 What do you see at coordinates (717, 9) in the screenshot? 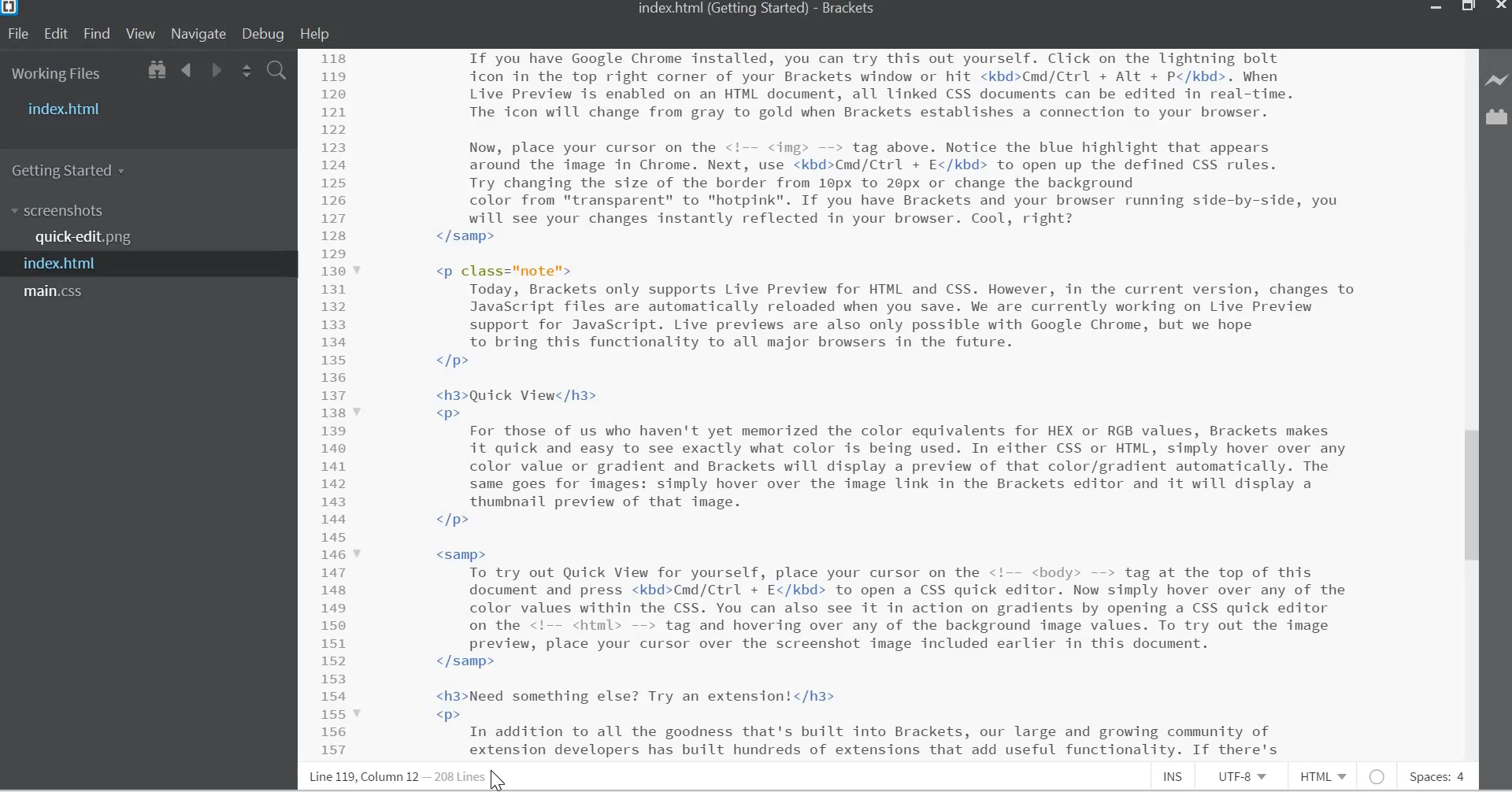
I see `index.html file name` at bounding box center [717, 9].